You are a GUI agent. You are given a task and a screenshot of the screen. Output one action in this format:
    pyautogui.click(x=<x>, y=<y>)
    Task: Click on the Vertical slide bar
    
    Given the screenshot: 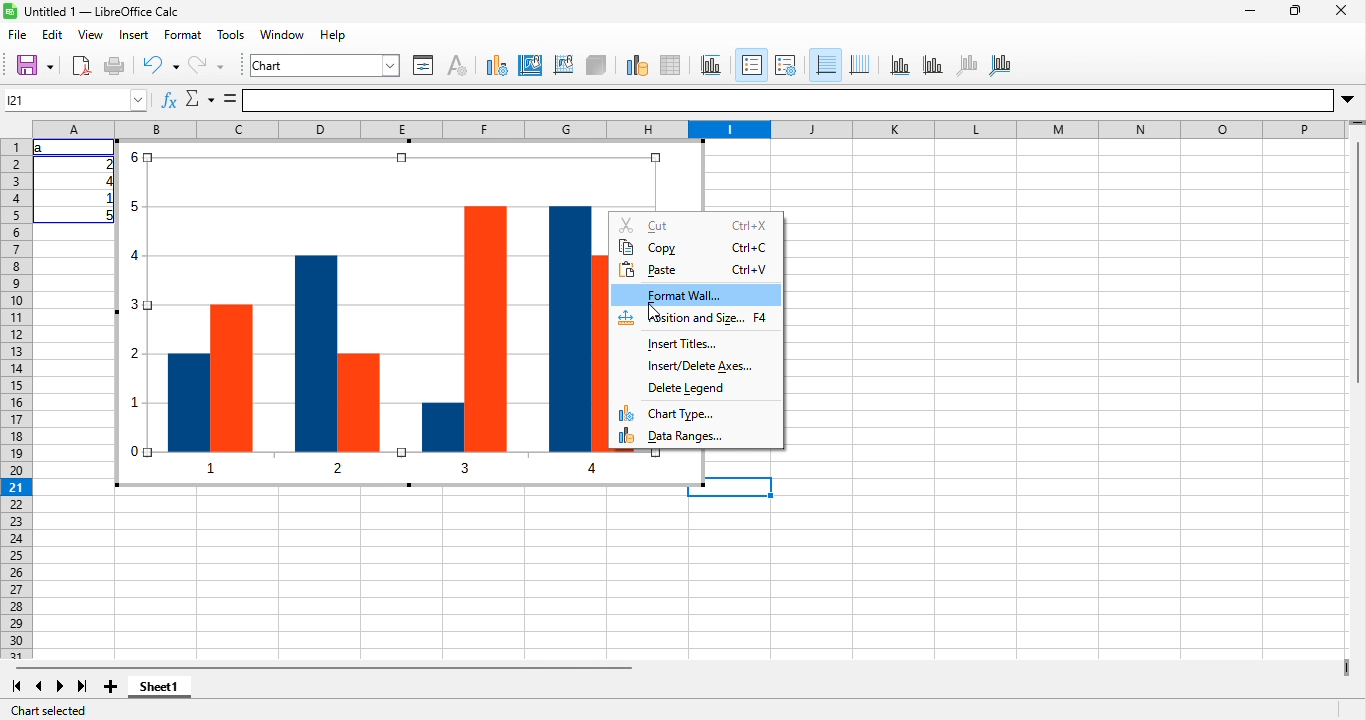 What is the action you would take?
    pyautogui.click(x=1358, y=253)
    